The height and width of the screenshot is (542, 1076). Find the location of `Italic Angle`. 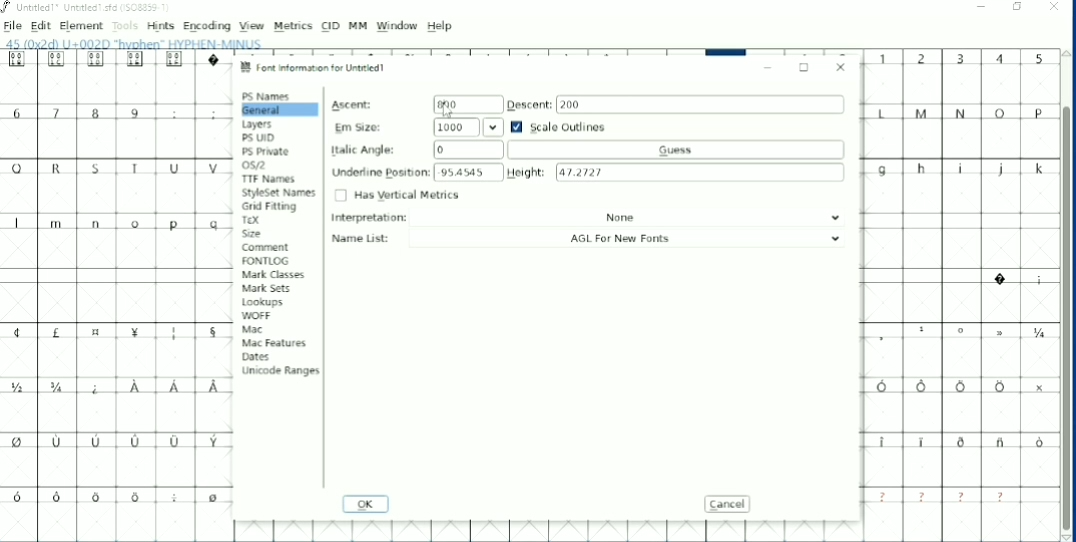

Italic Angle is located at coordinates (579, 149).